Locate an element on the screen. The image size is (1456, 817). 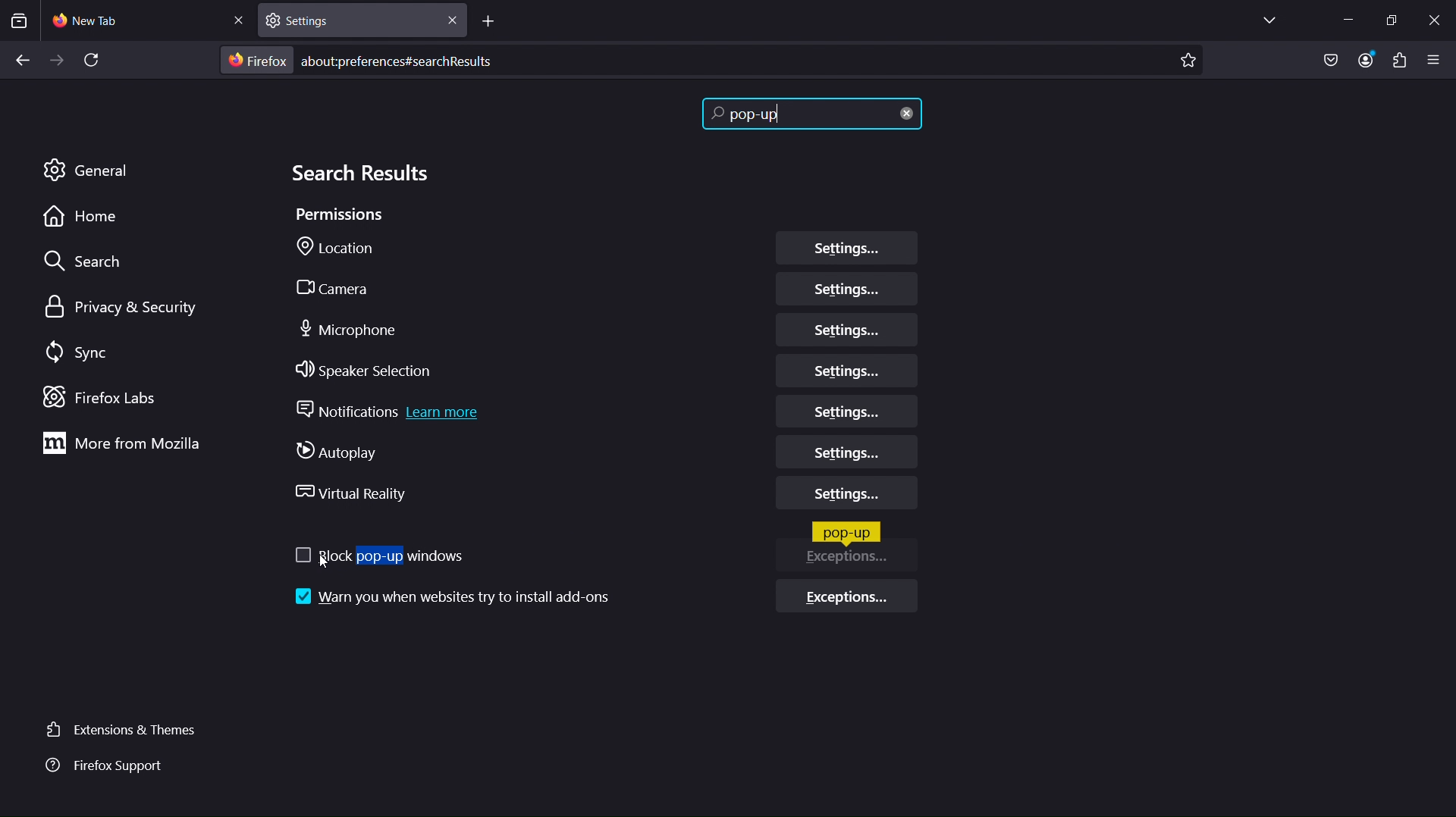
Virtual Reality Settings is located at coordinates (846, 496).